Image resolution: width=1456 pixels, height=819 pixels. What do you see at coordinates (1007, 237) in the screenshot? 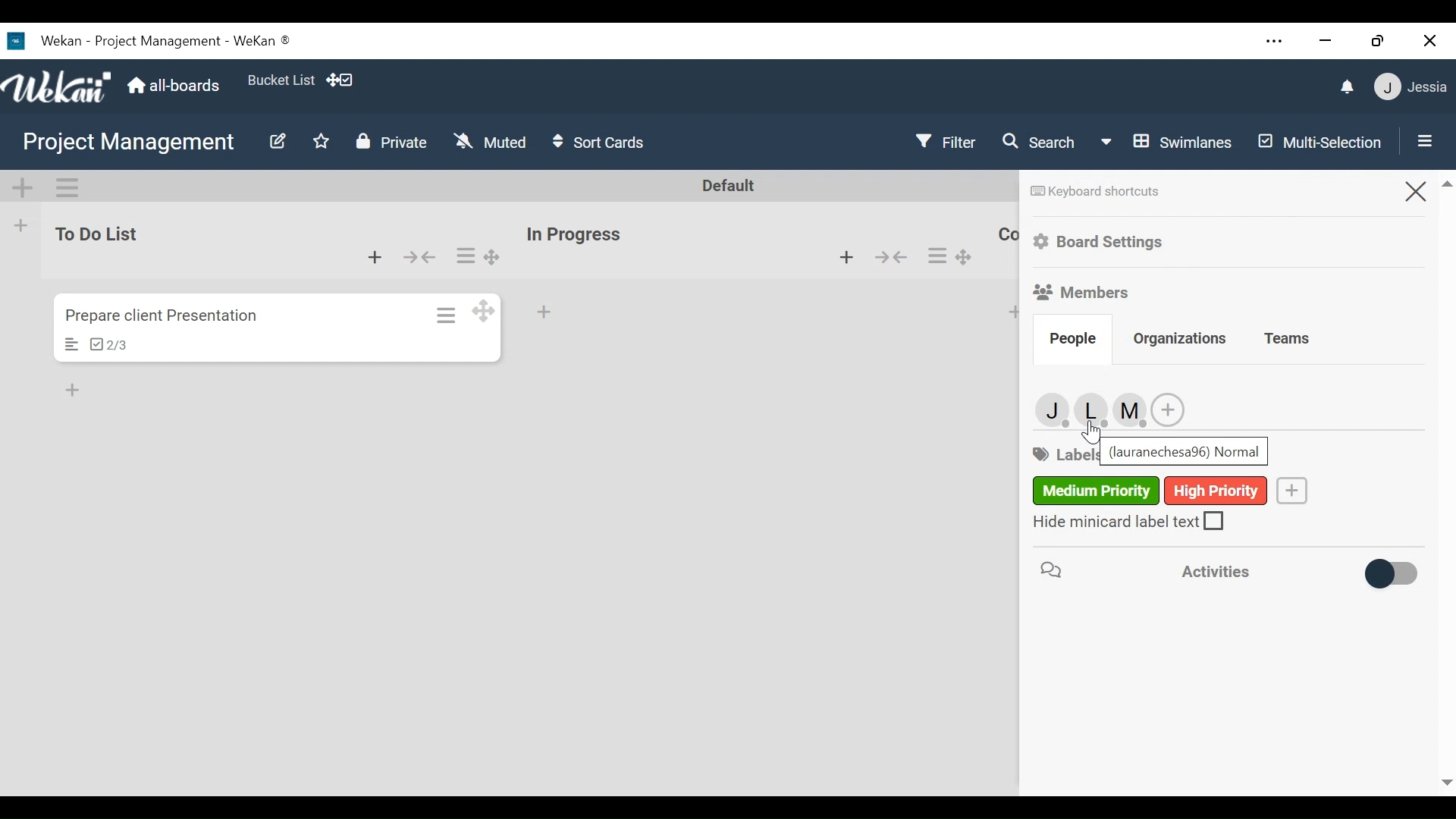
I see `List Title` at bounding box center [1007, 237].